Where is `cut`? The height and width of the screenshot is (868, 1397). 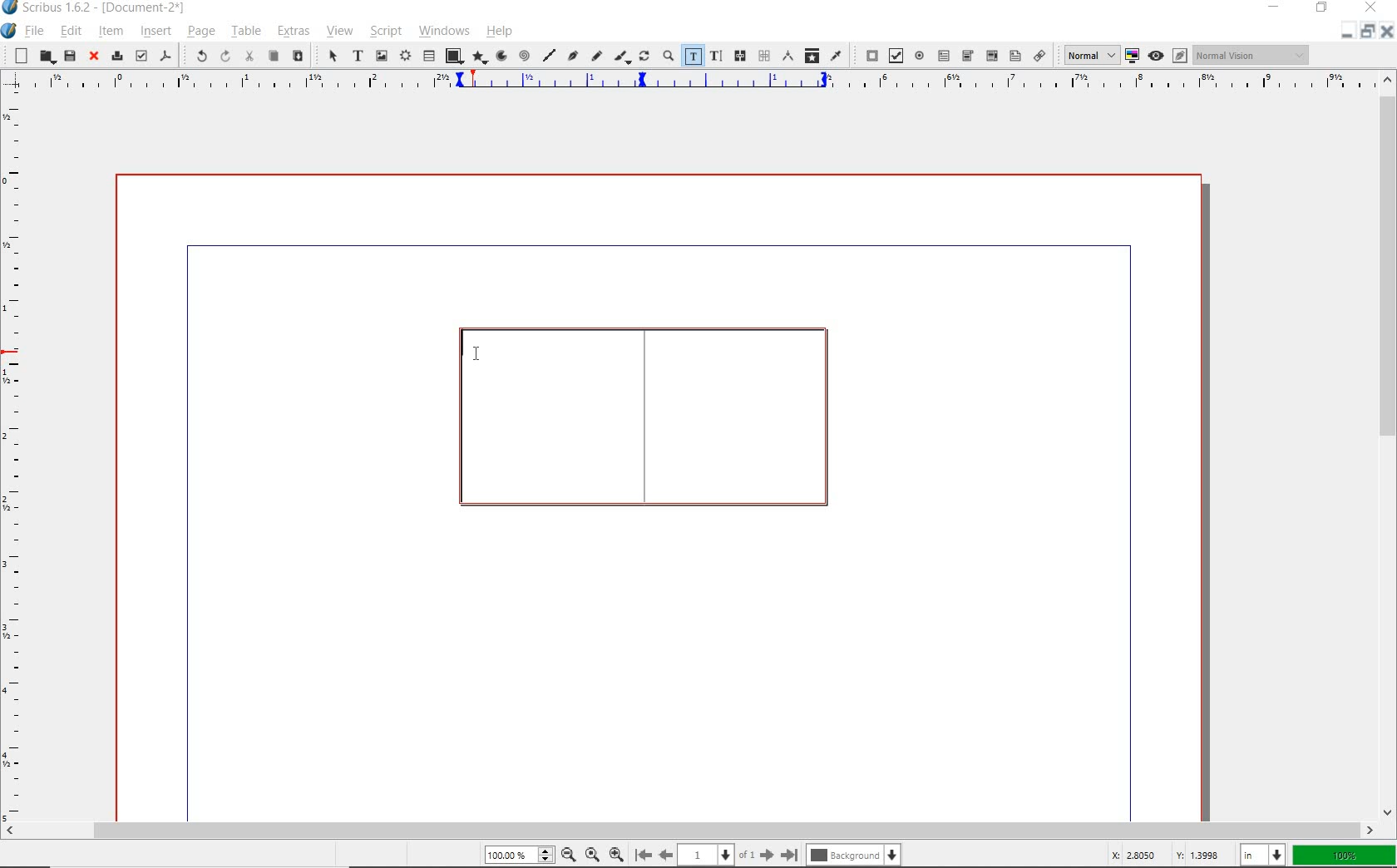
cut is located at coordinates (247, 57).